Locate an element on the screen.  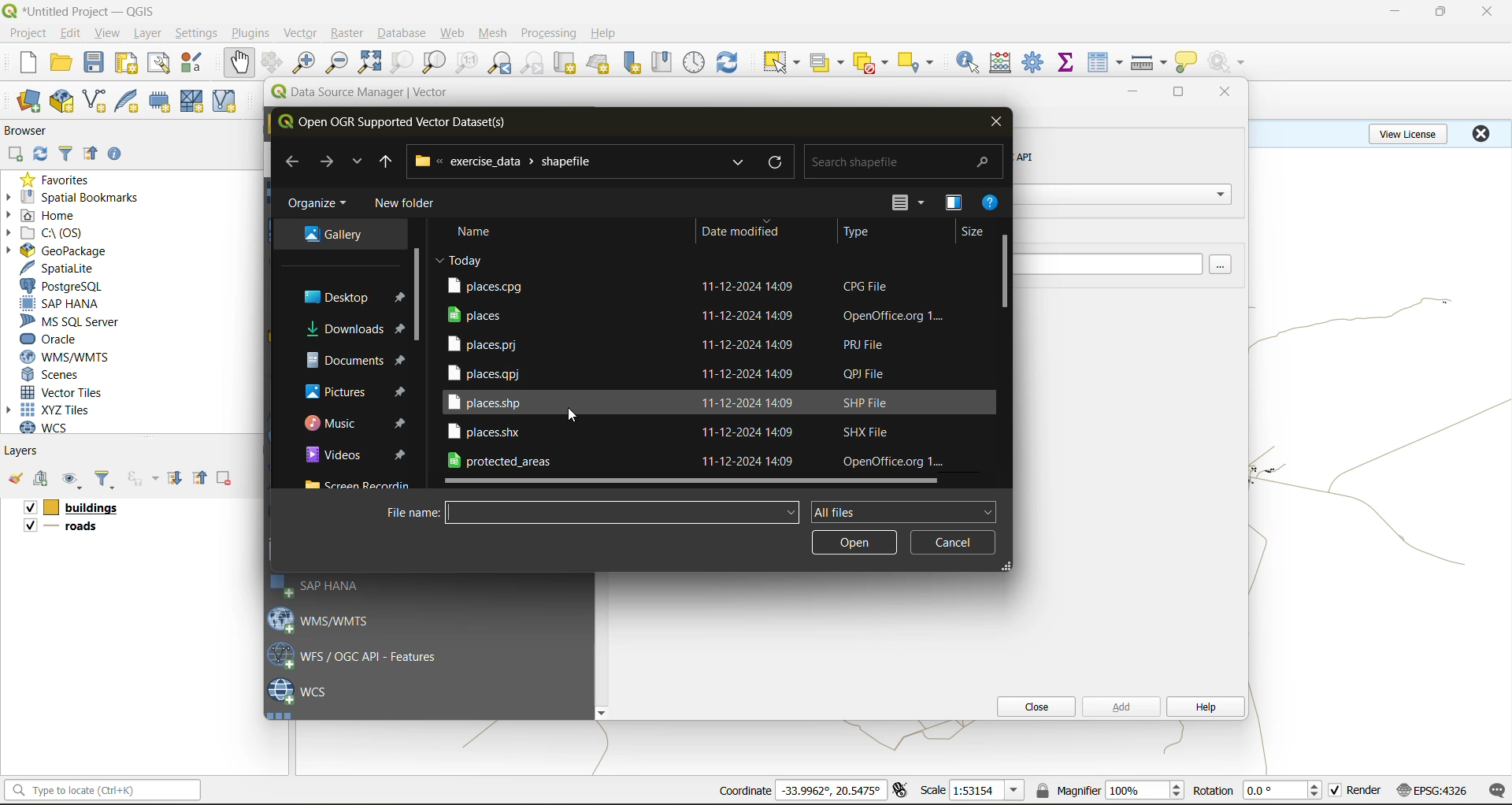
close is located at coordinates (1488, 12).